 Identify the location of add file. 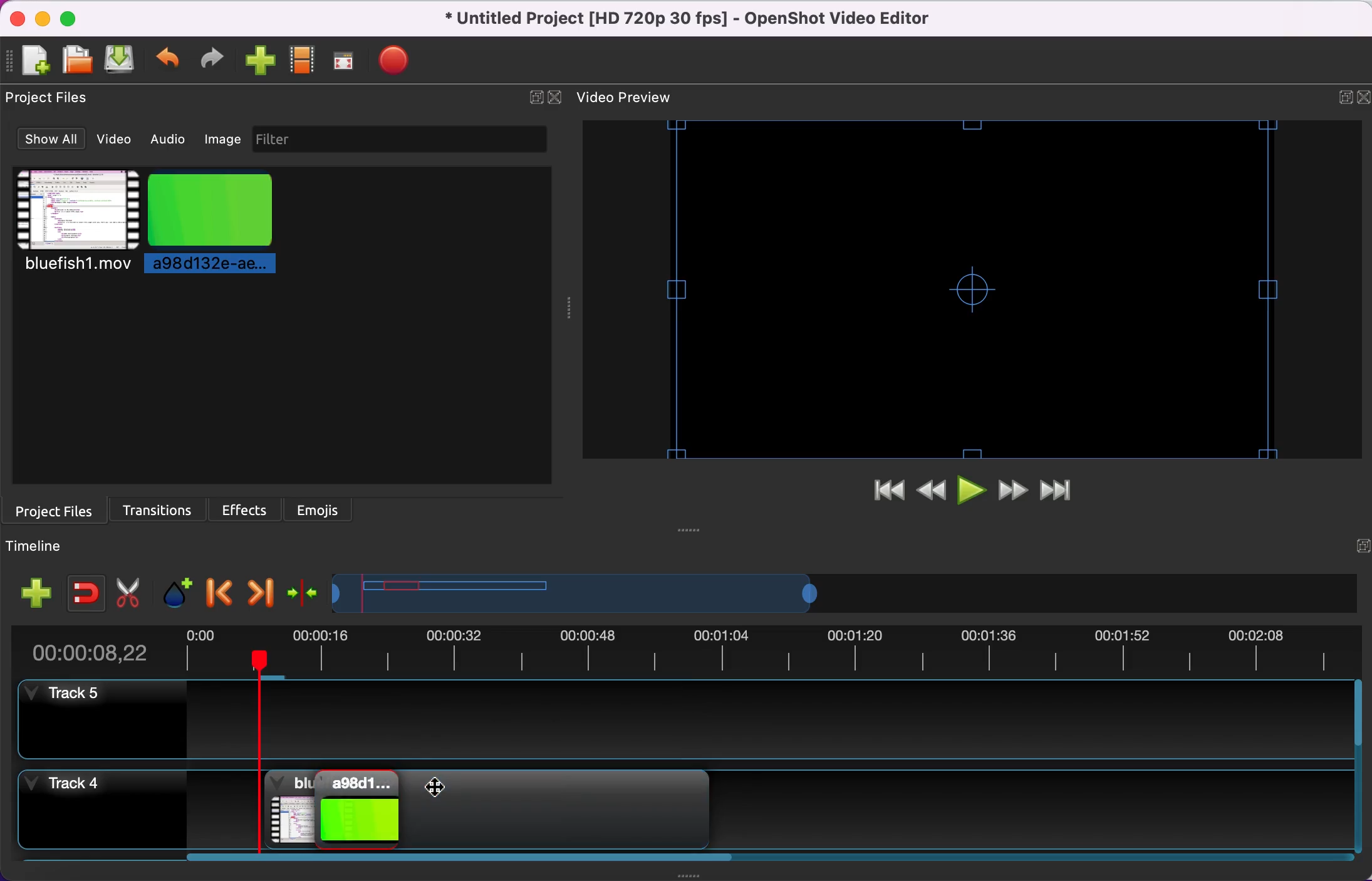
(29, 60).